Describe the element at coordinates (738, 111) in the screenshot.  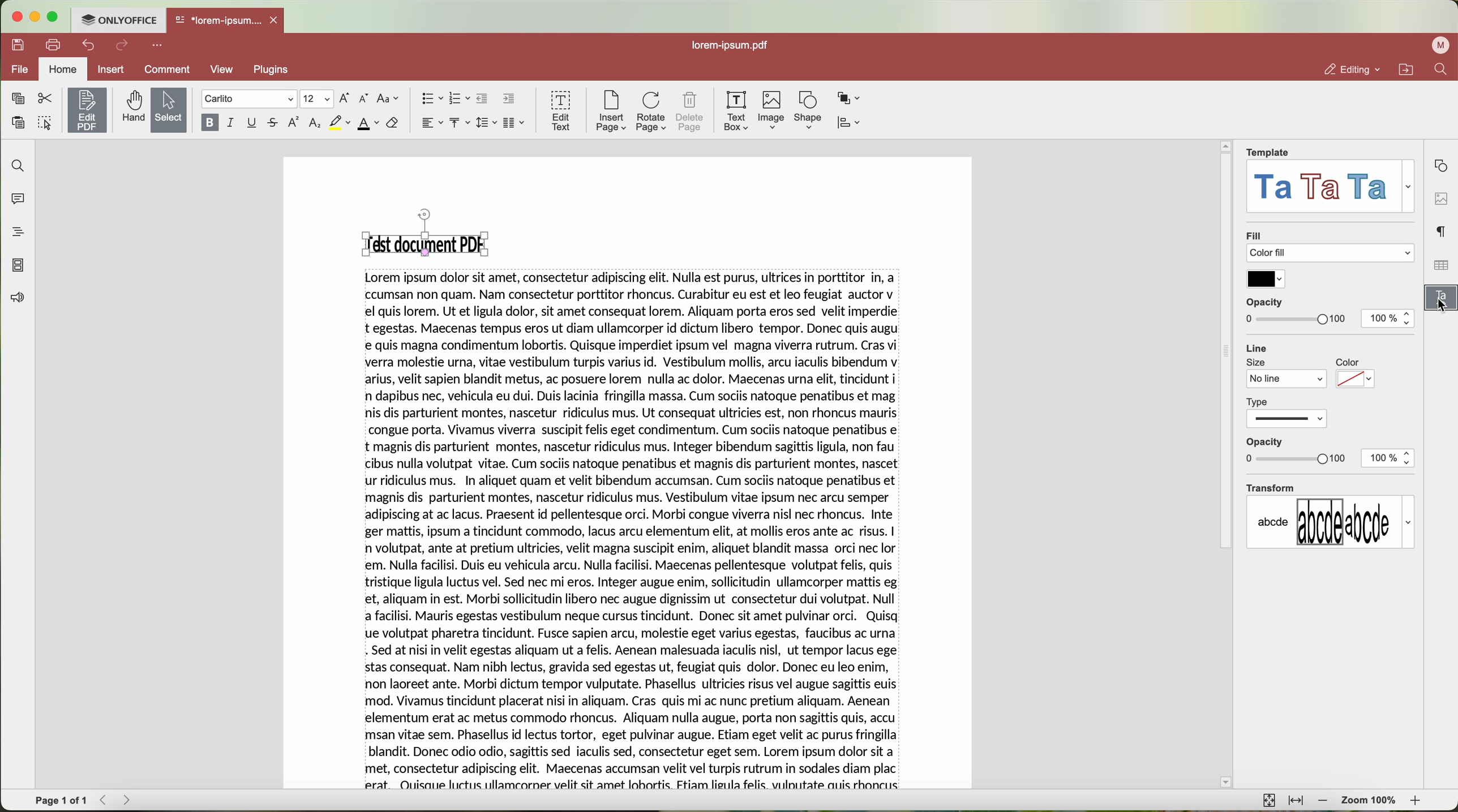
I see `text box` at that location.